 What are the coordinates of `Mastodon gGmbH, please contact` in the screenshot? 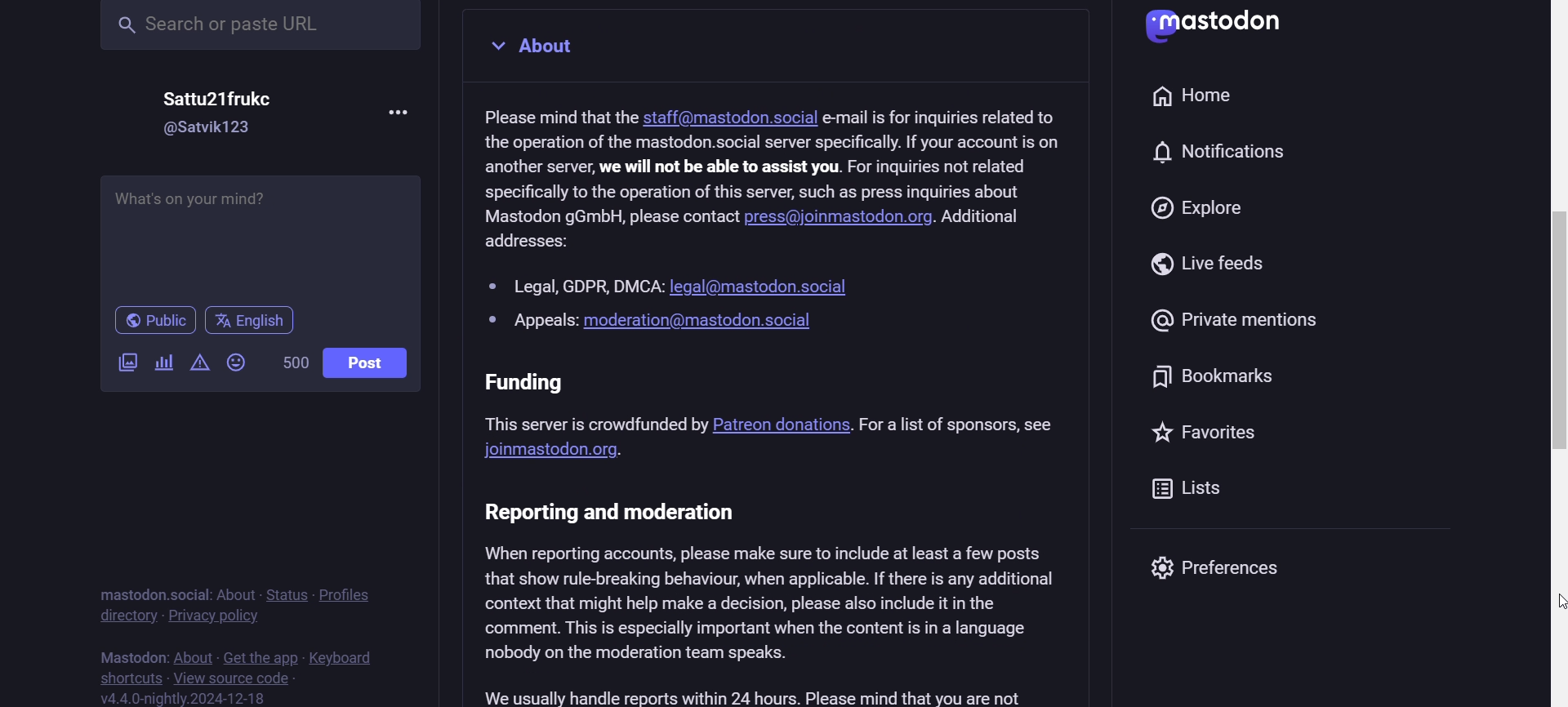 It's located at (609, 216).